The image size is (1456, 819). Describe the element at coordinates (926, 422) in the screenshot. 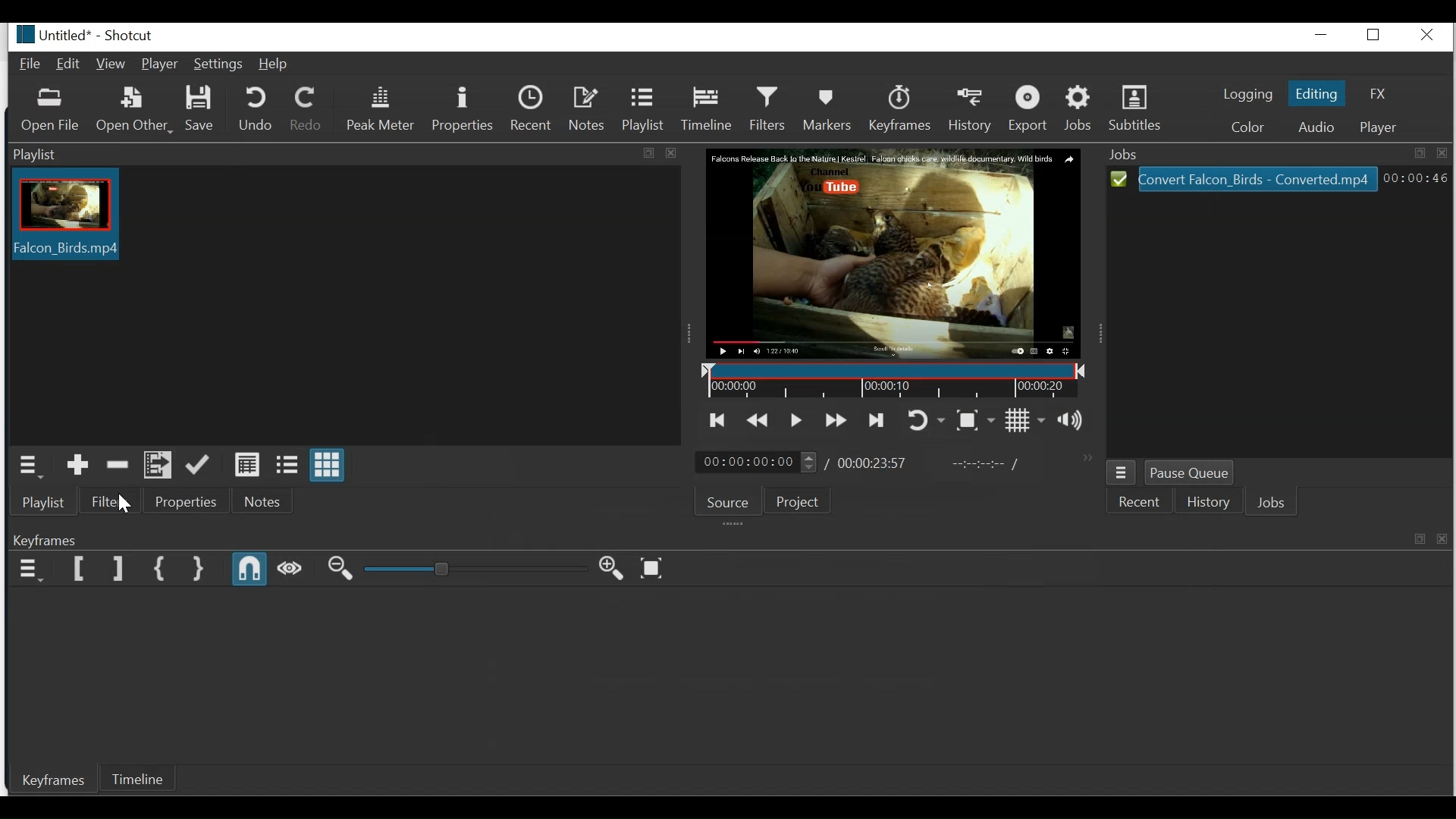

I see `Toggle player looping` at that location.